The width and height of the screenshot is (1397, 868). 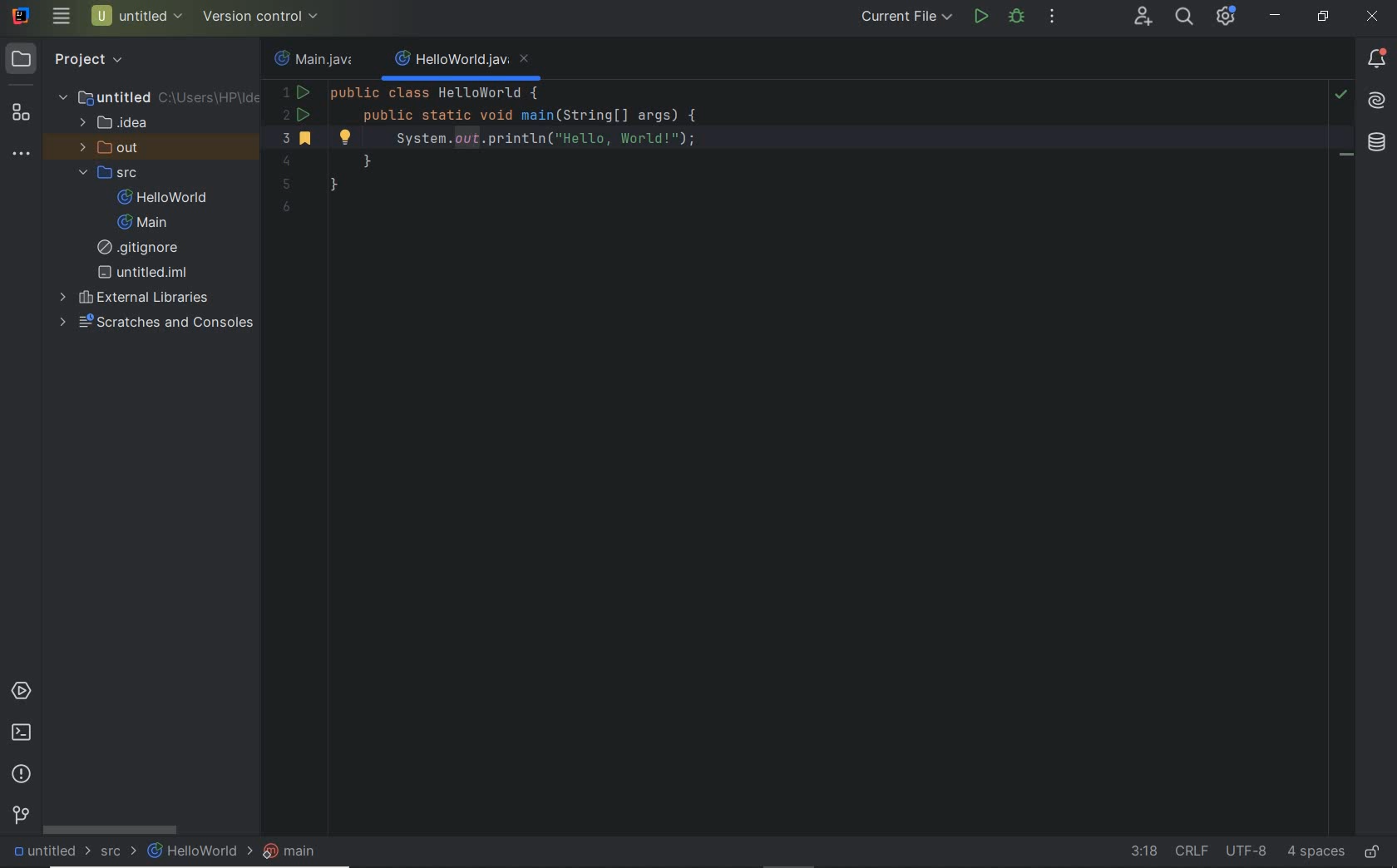 What do you see at coordinates (1346, 159) in the screenshot?
I see `F11 to toggle` at bounding box center [1346, 159].